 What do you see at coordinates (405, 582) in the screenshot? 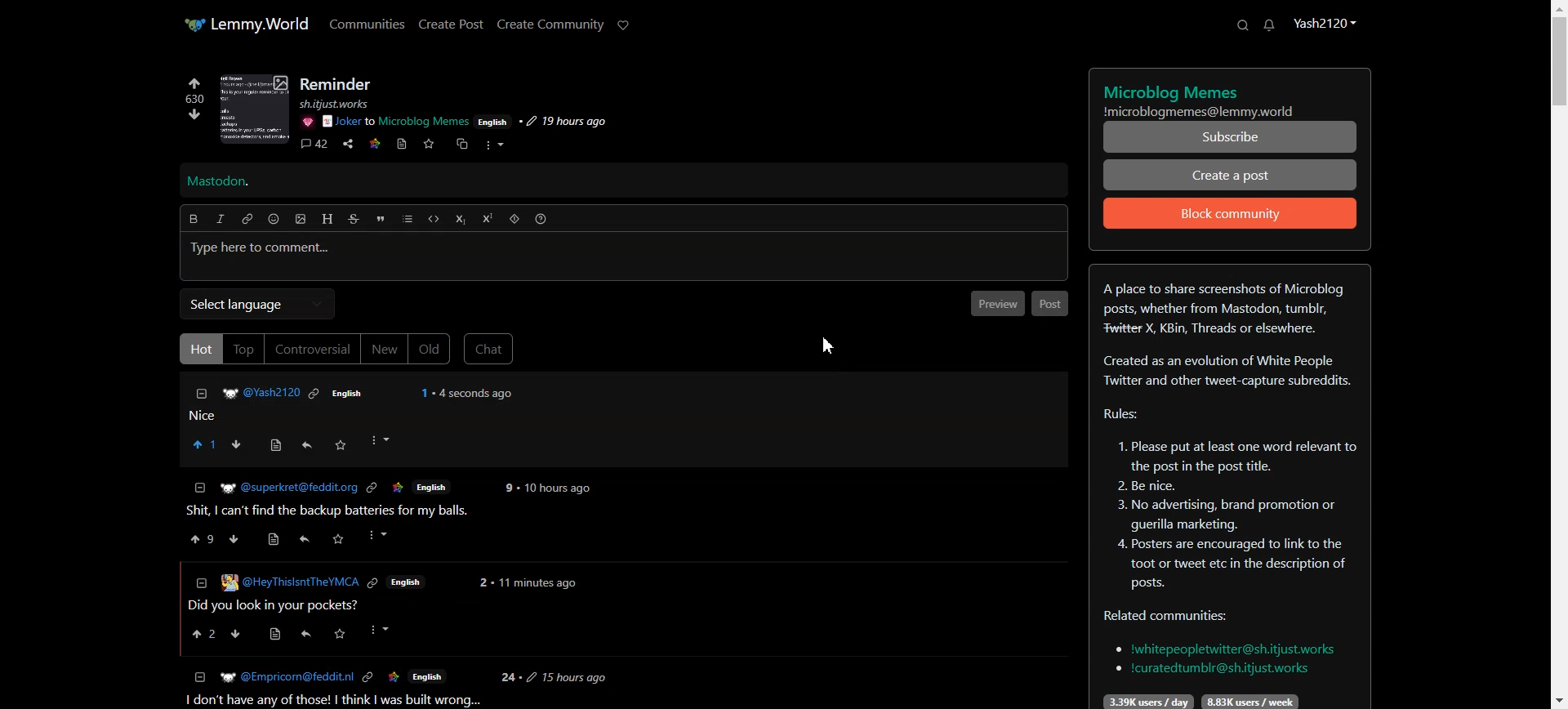
I see `English` at bounding box center [405, 582].